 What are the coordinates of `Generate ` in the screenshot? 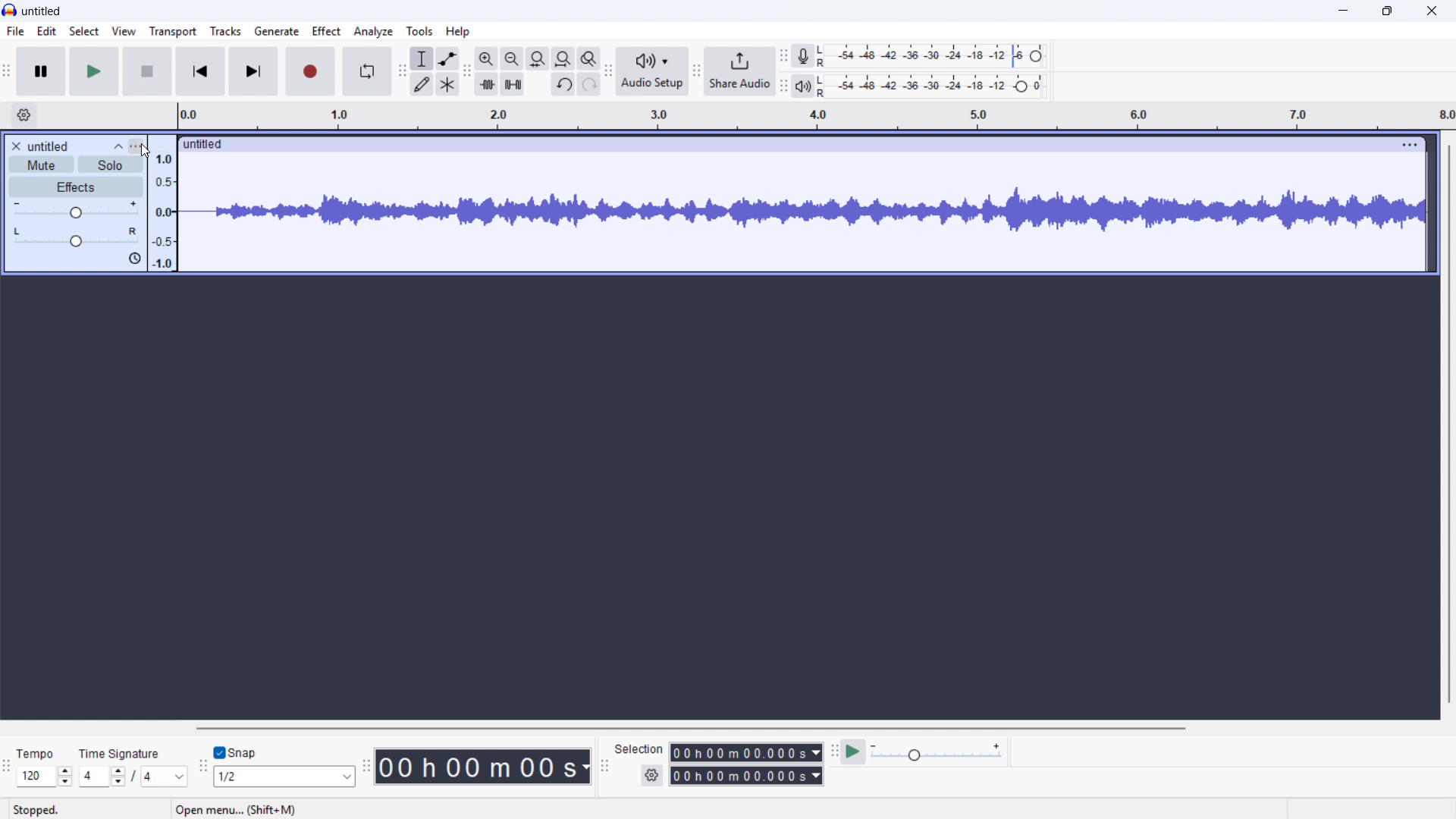 It's located at (276, 31).